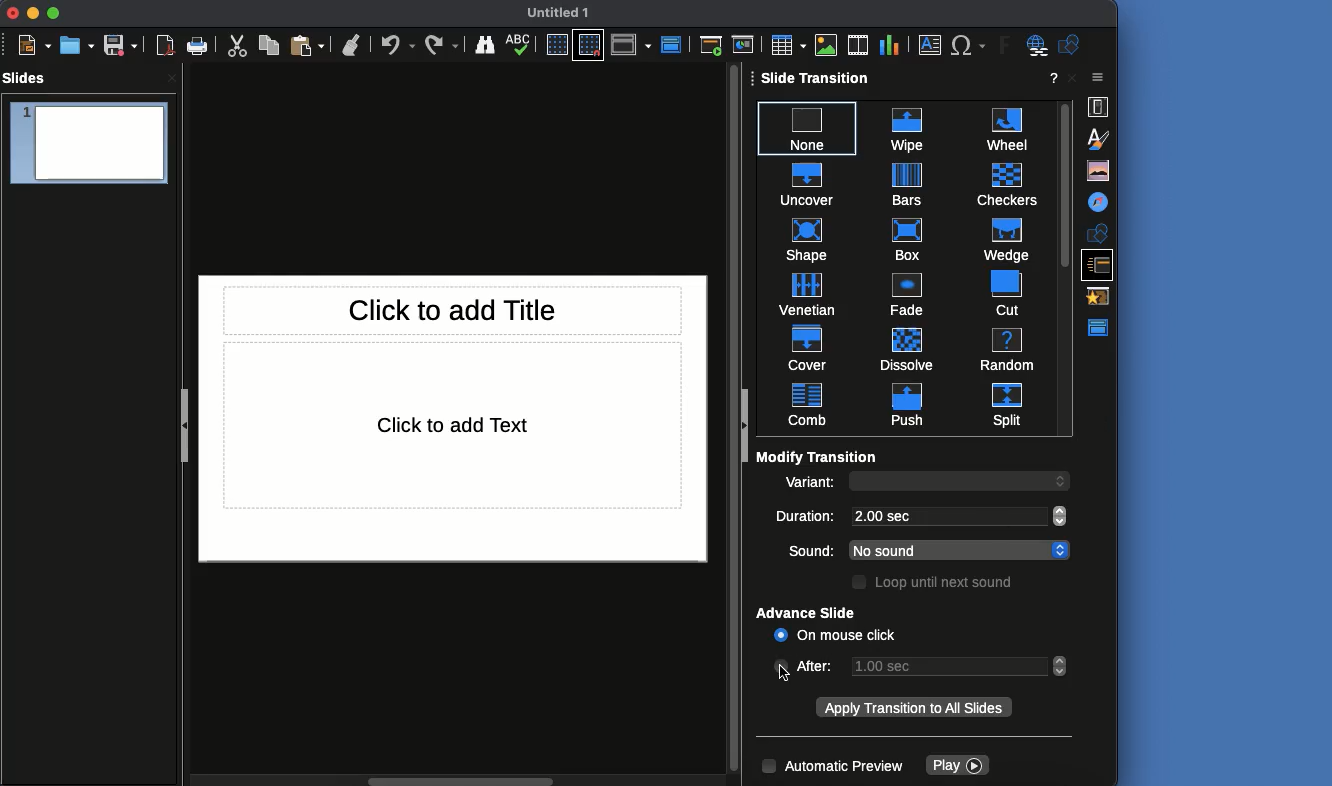  I want to click on Title, so click(454, 310).